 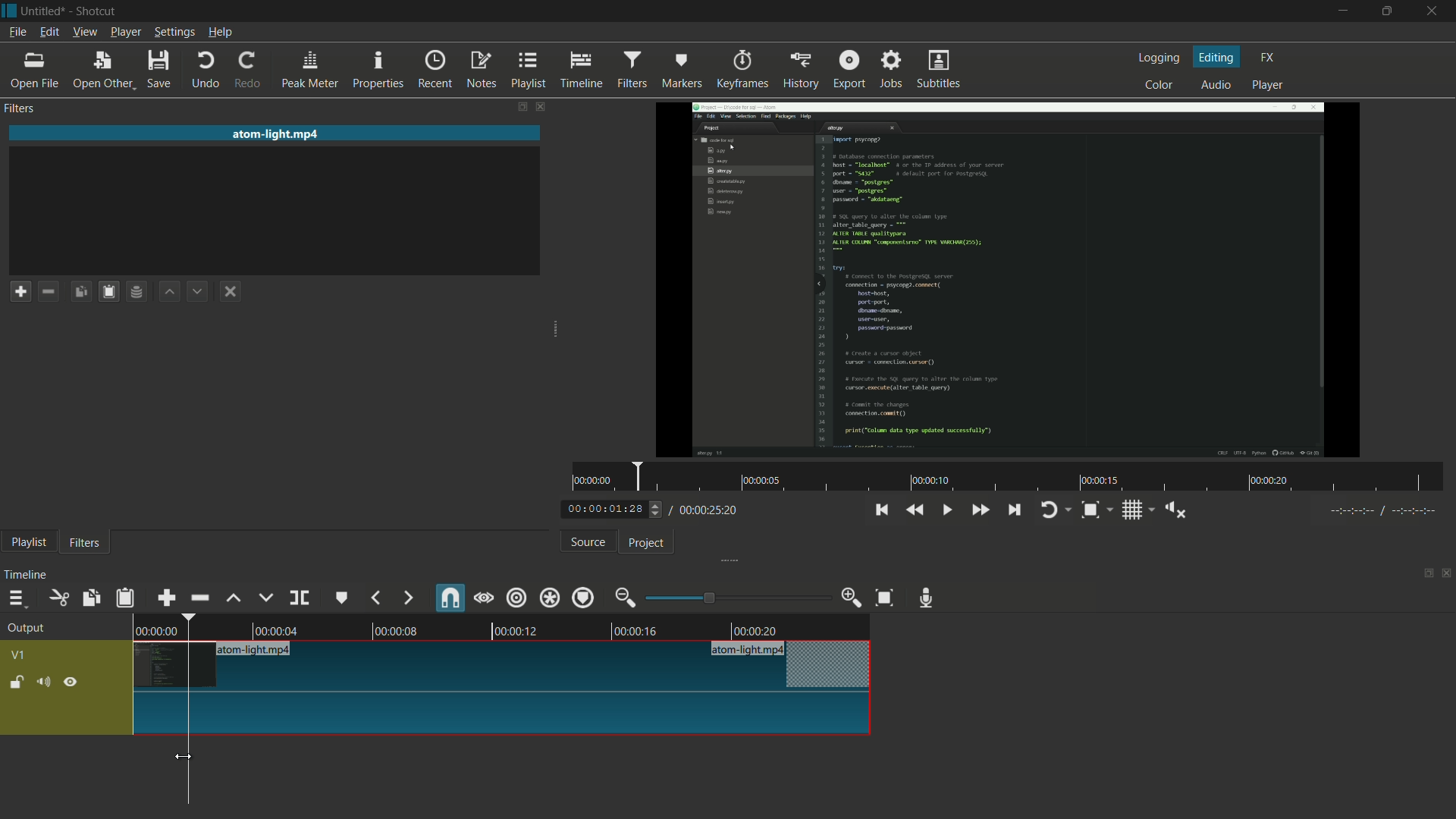 I want to click on source, so click(x=588, y=542).